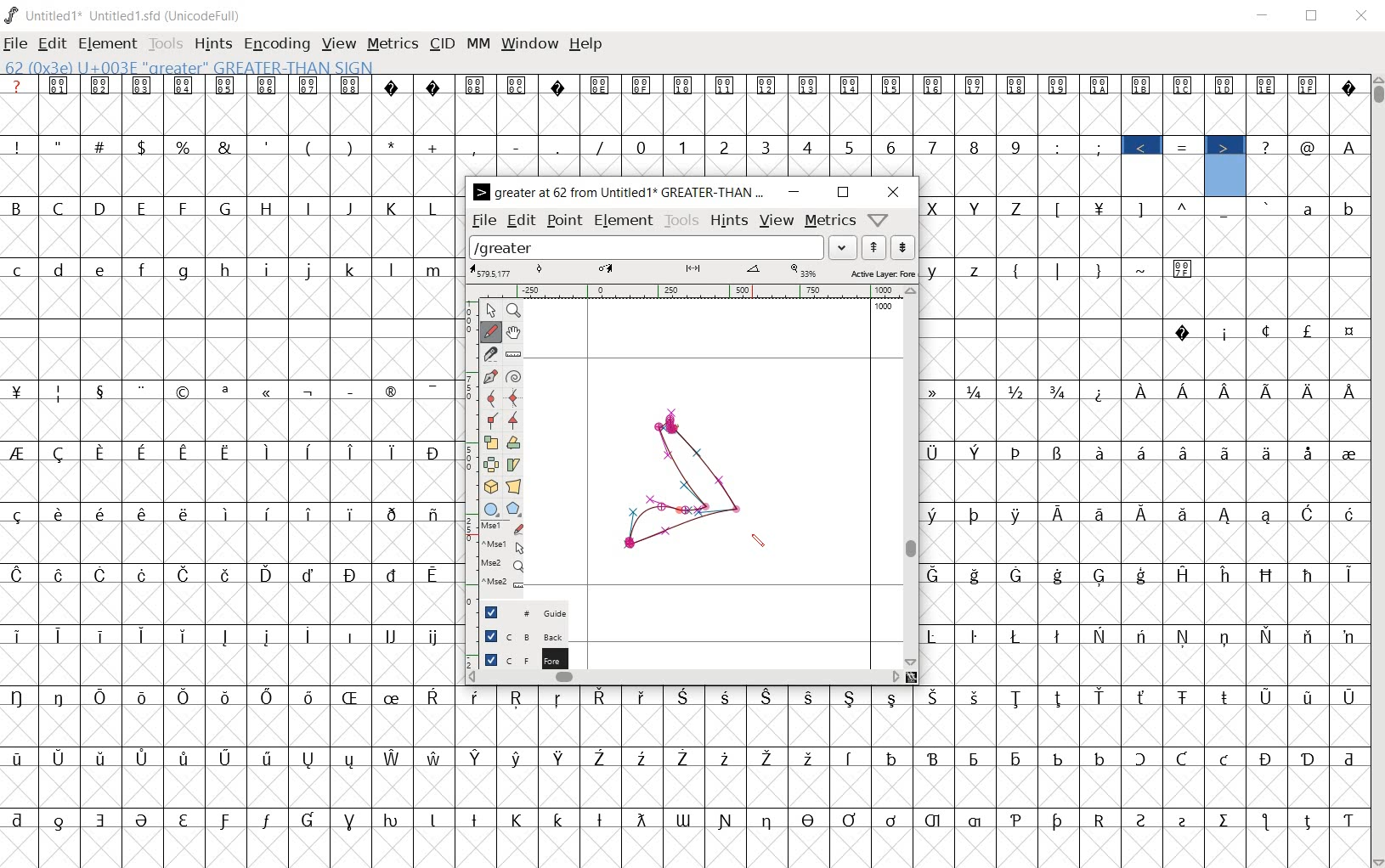  I want to click on edit, so click(519, 222).